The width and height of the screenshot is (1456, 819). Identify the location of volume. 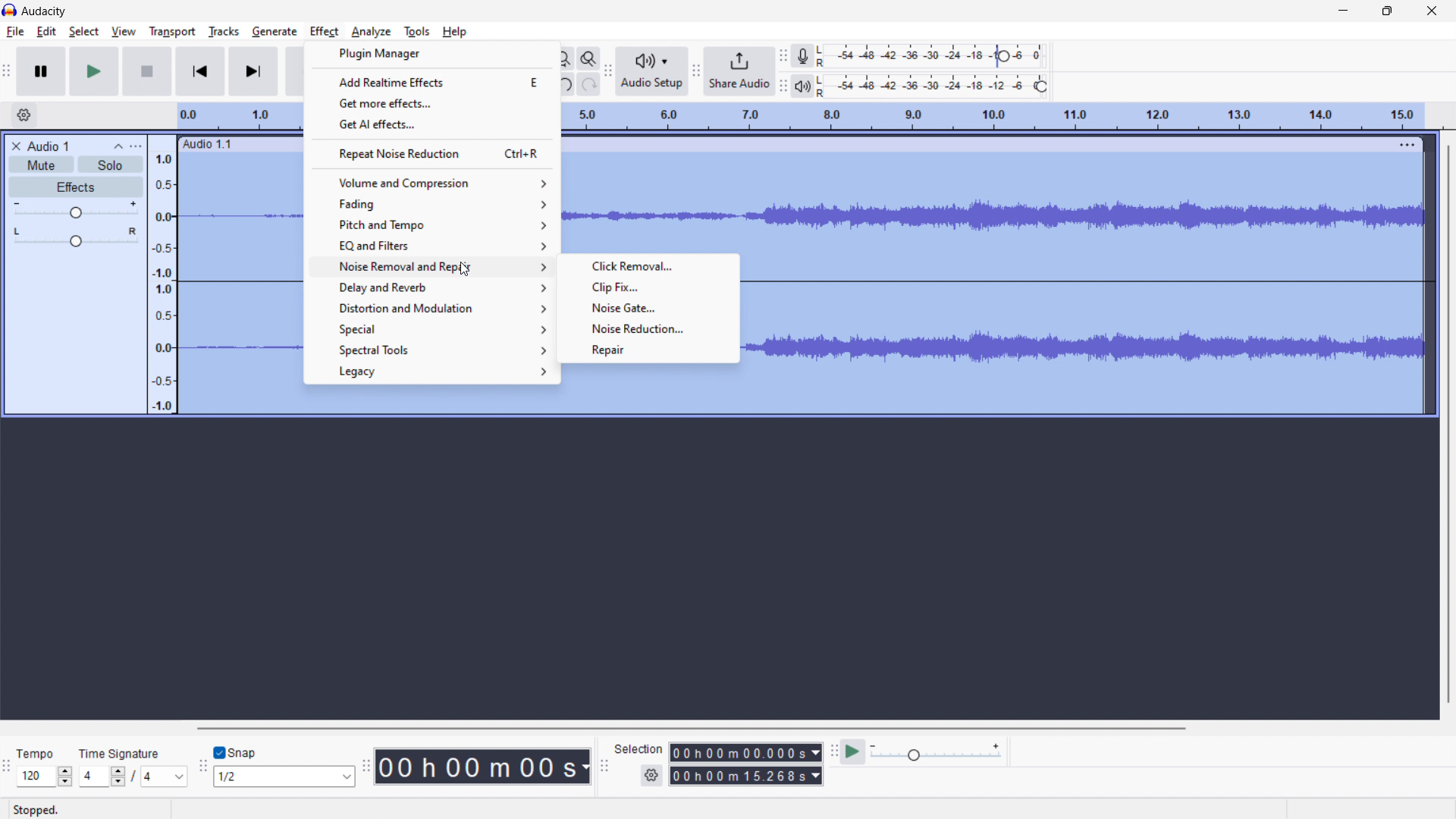
(76, 209).